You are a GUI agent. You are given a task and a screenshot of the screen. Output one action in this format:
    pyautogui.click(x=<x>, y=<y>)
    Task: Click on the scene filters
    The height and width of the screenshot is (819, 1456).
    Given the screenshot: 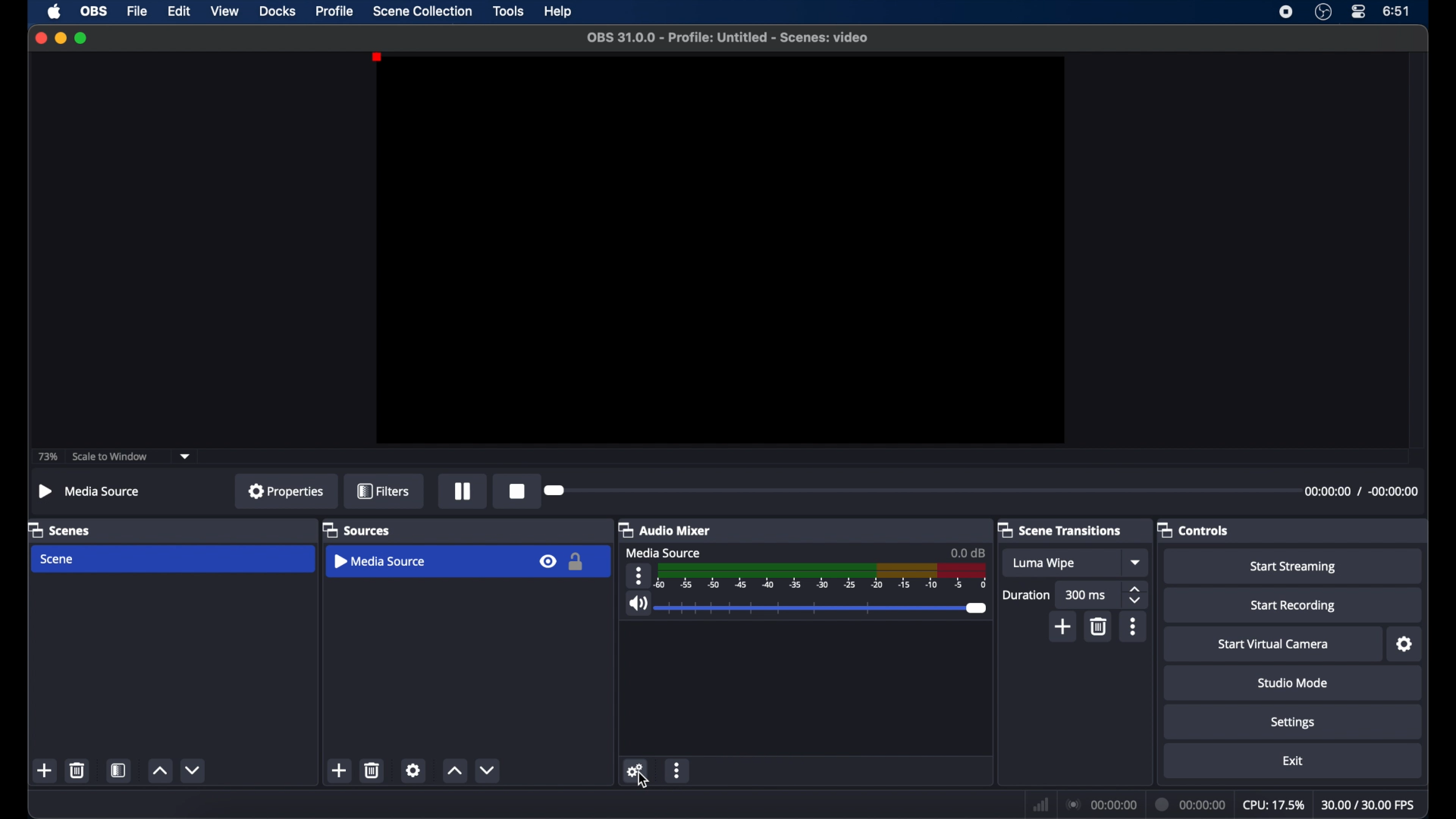 What is the action you would take?
    pyautogui.click(x=120, y=770)
    